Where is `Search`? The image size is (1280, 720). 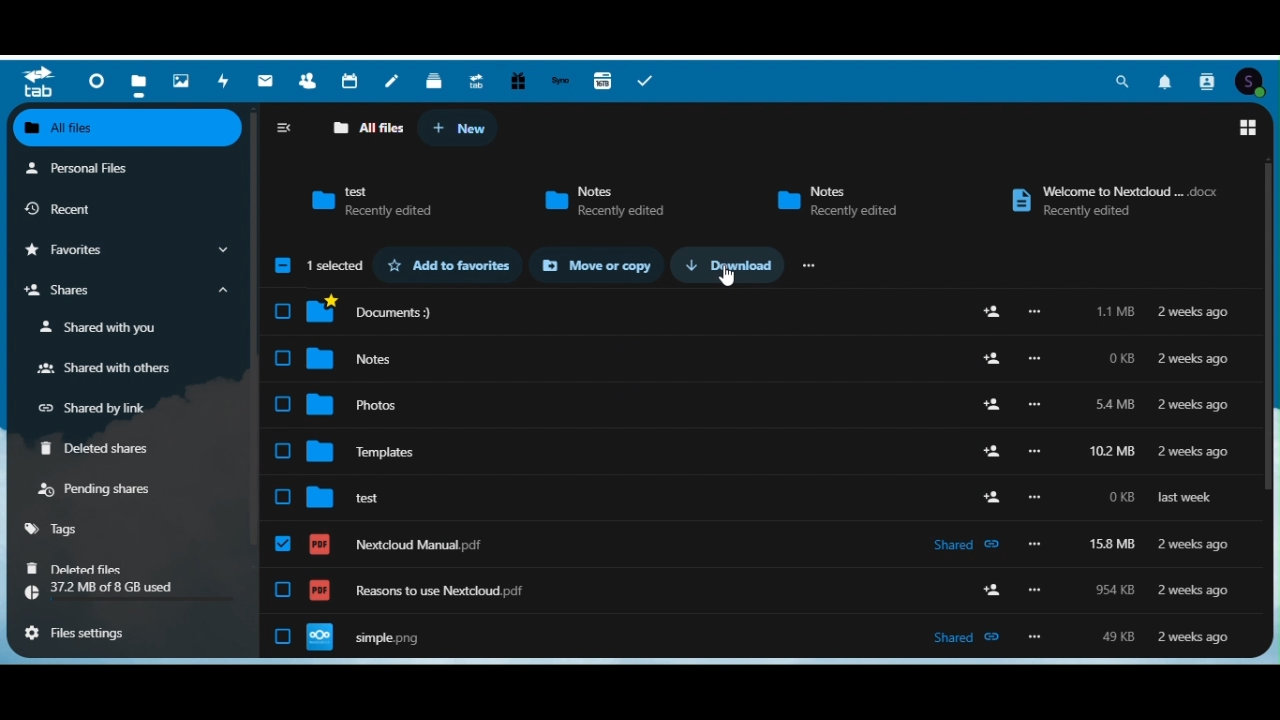 Search is located at coordinates (1126, 81).